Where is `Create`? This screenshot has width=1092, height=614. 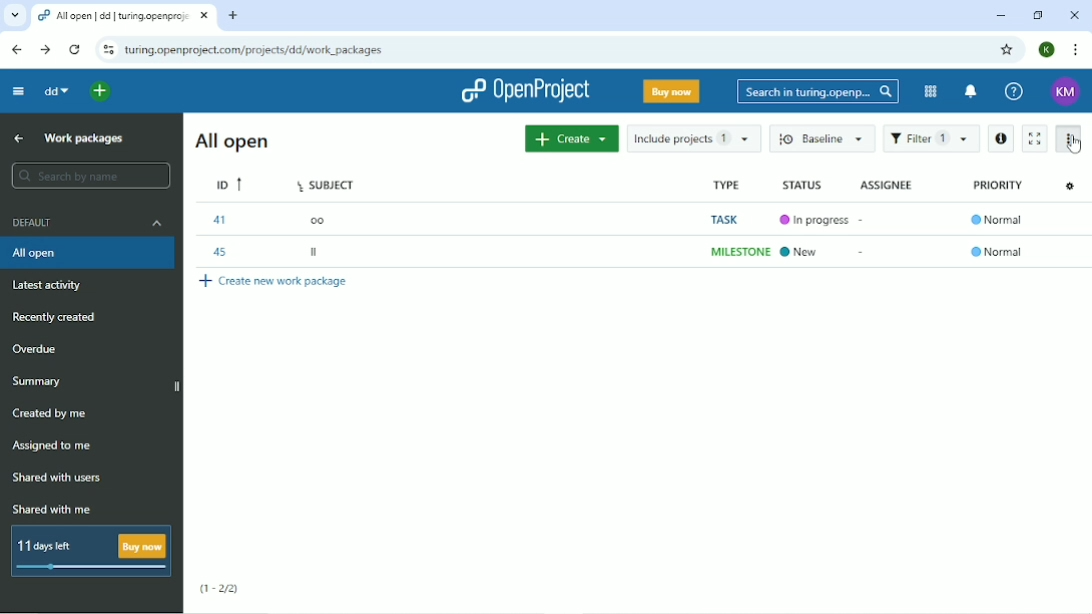 Create is located at coordinates (570, 139).